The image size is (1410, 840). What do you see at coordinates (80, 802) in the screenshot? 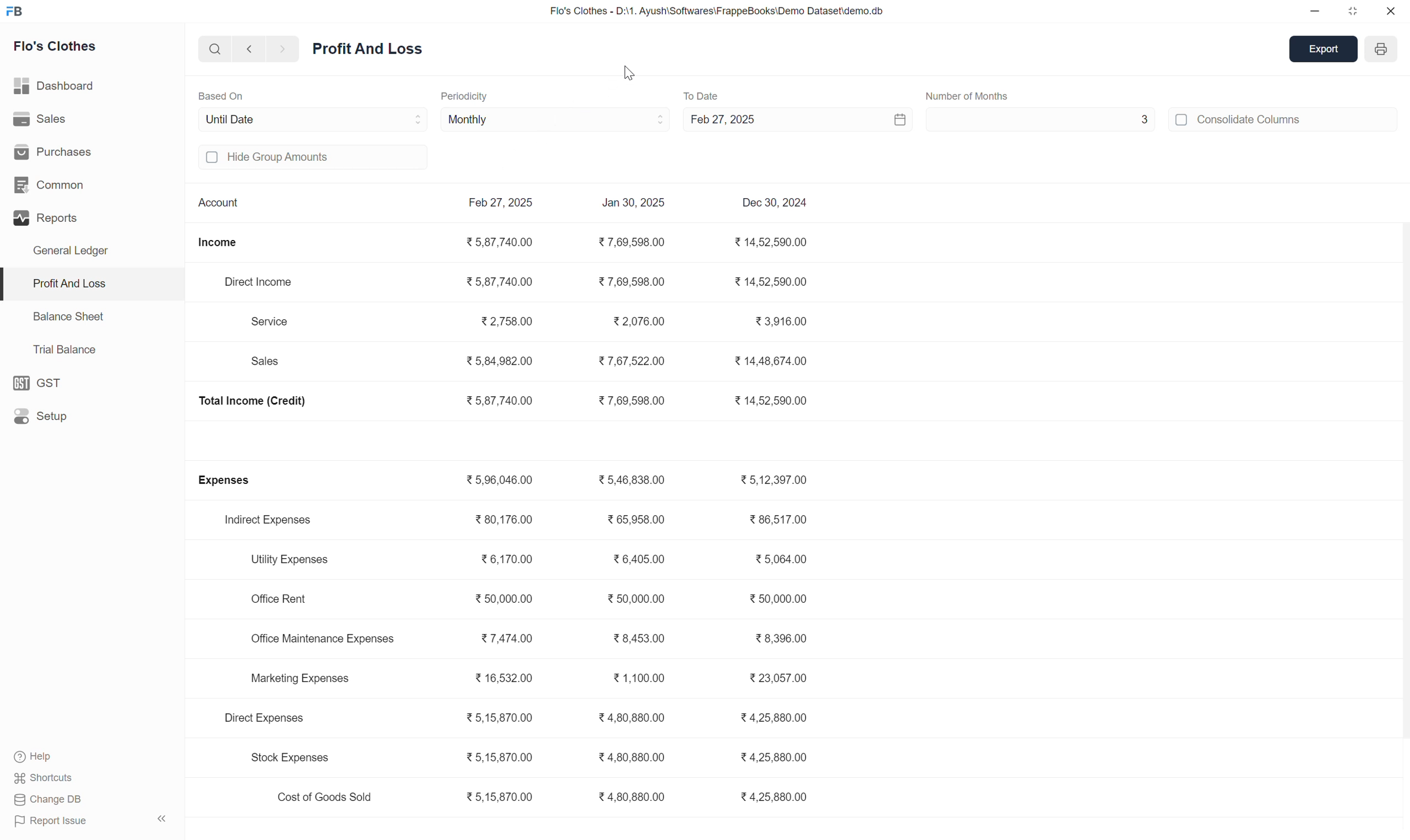
I see `Change DB` at bounding box center [80, 802].